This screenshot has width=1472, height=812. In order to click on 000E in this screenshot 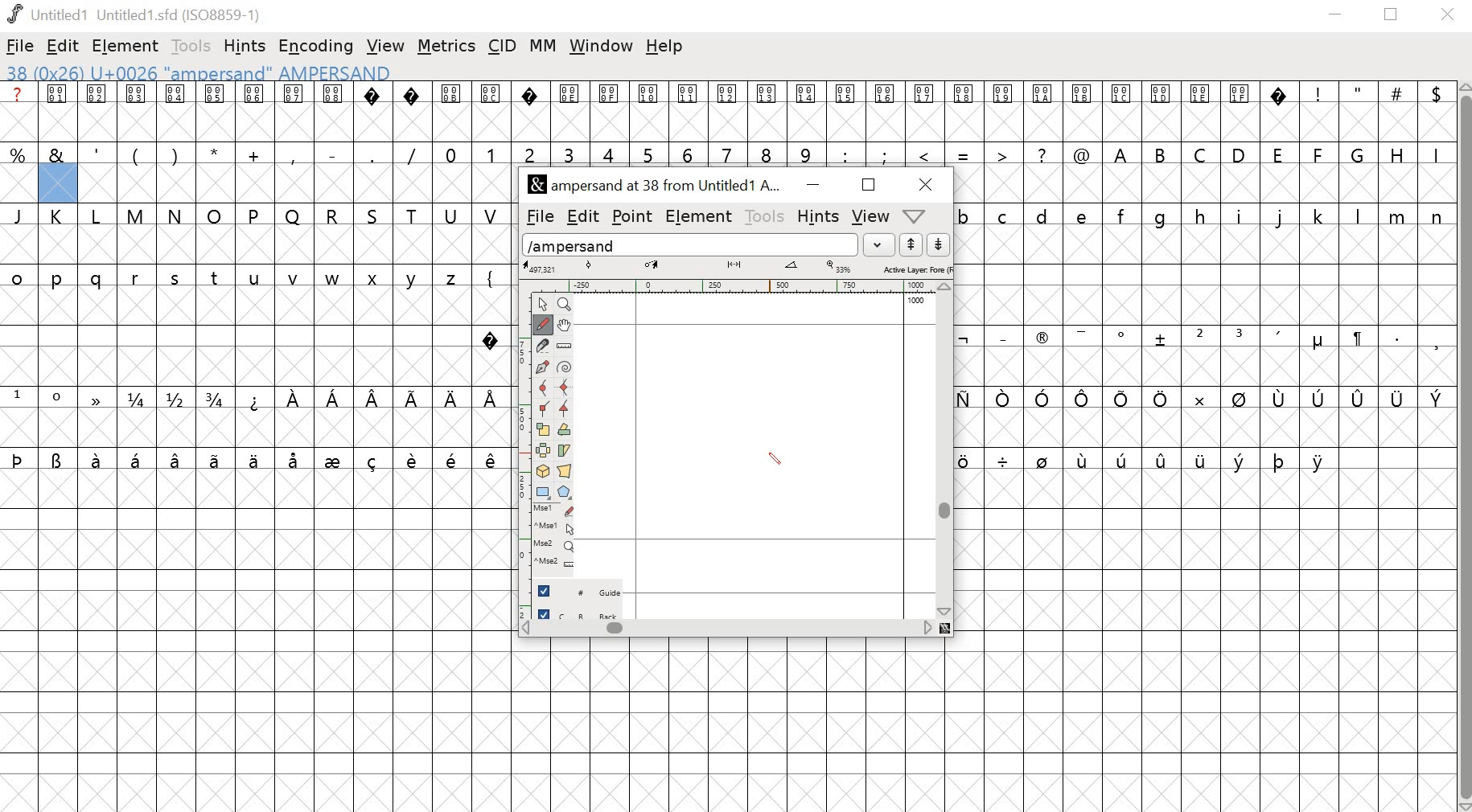, I will do `click(569, 112)`.